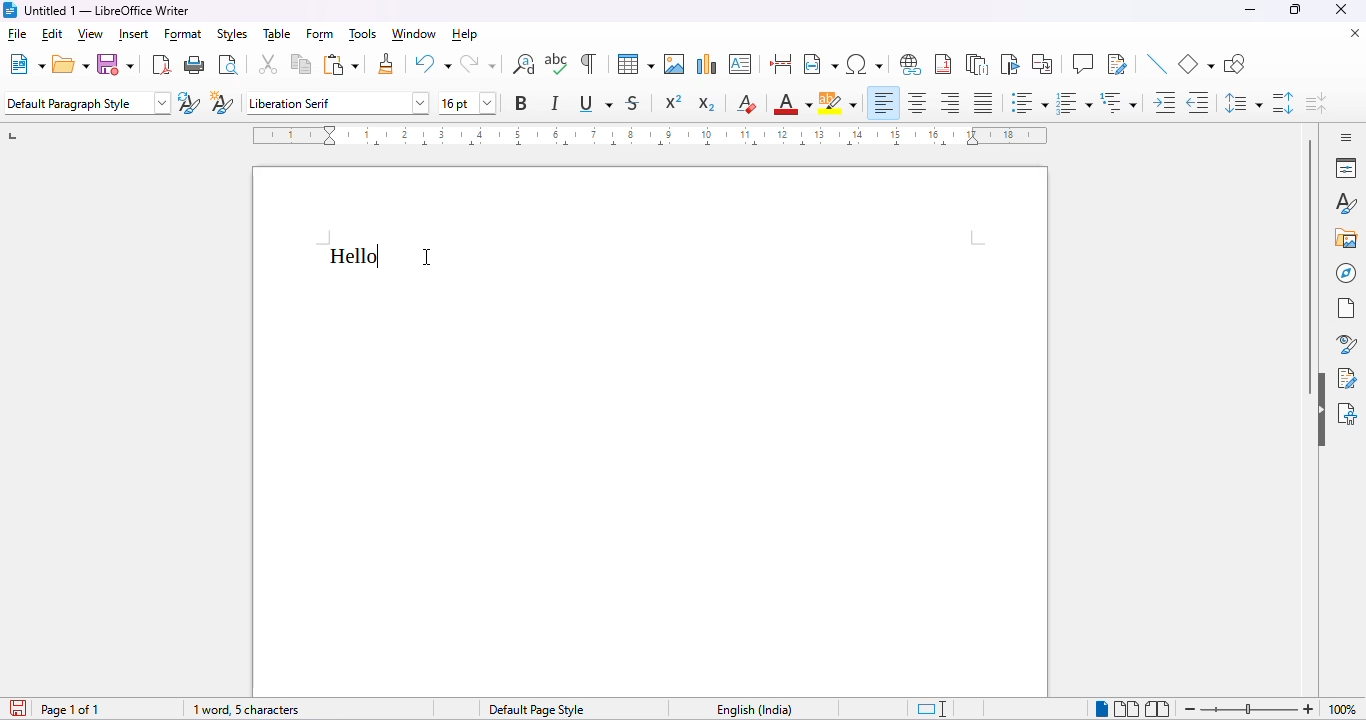 The height and width of the screenshot is (720, 1366). I want to click on insert field, so click(820, 64).